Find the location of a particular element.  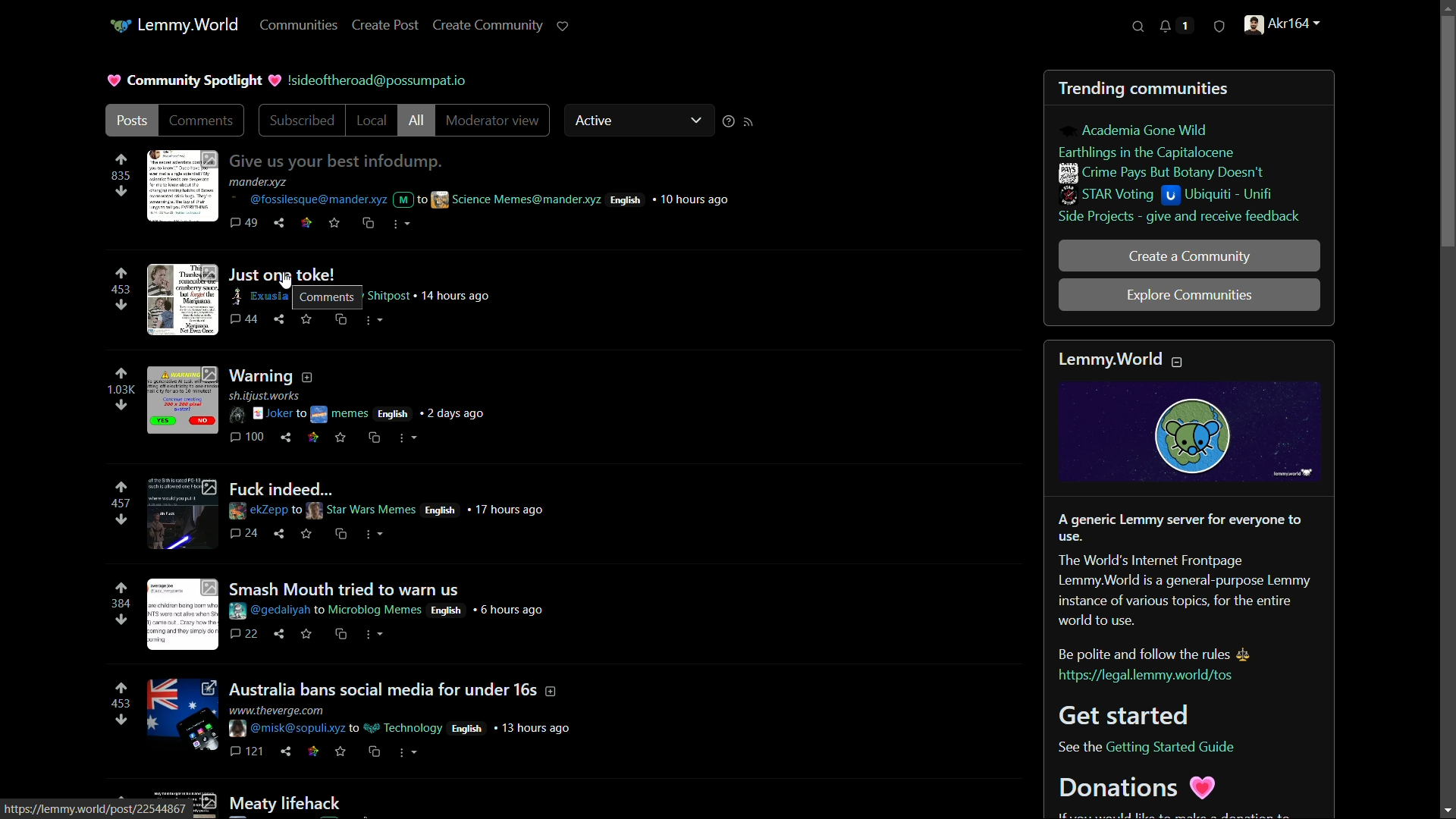

to is located at coordinates (303, 413).